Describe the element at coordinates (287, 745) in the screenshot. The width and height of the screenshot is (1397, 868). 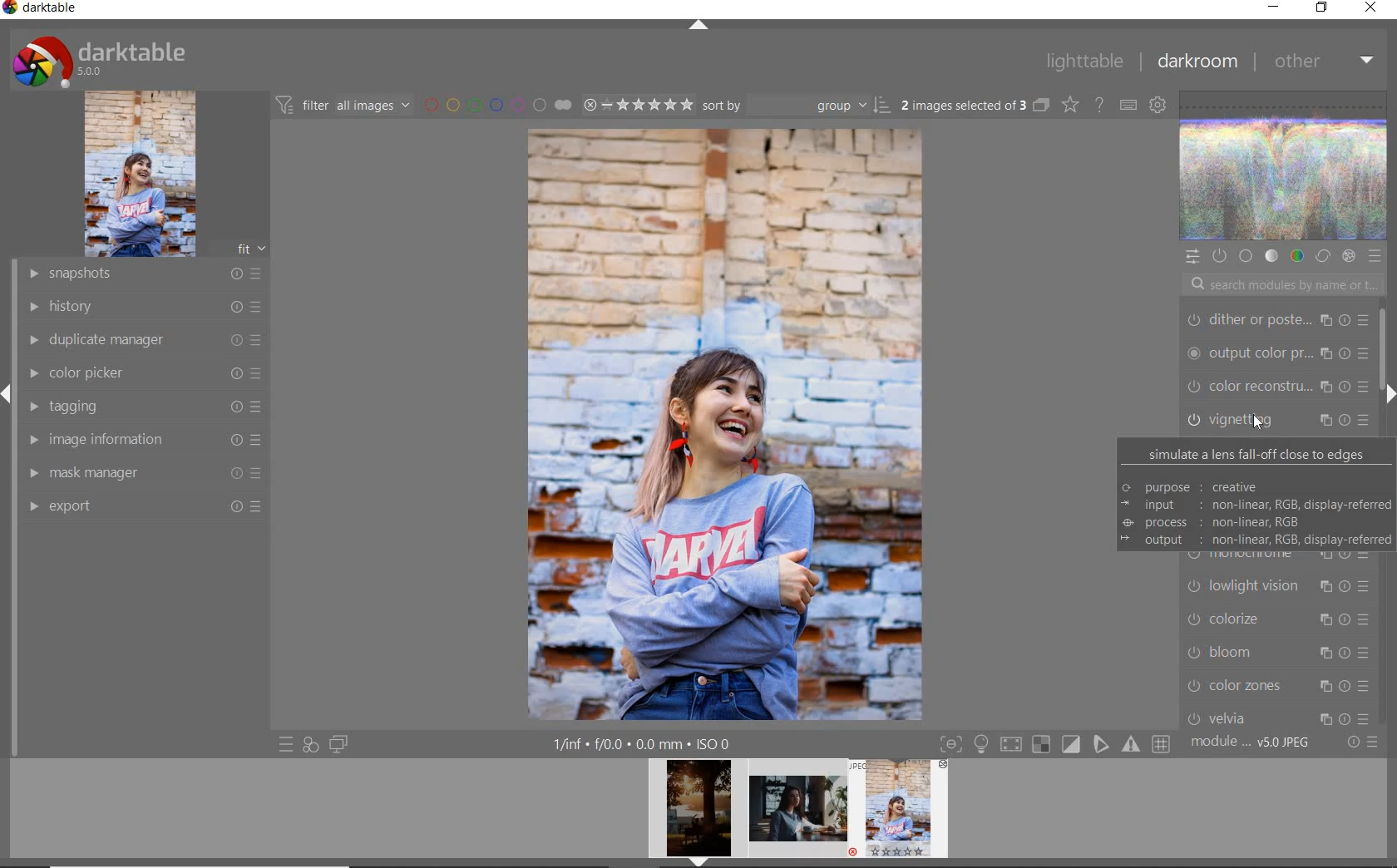
I see `quick access to preset` at that location.